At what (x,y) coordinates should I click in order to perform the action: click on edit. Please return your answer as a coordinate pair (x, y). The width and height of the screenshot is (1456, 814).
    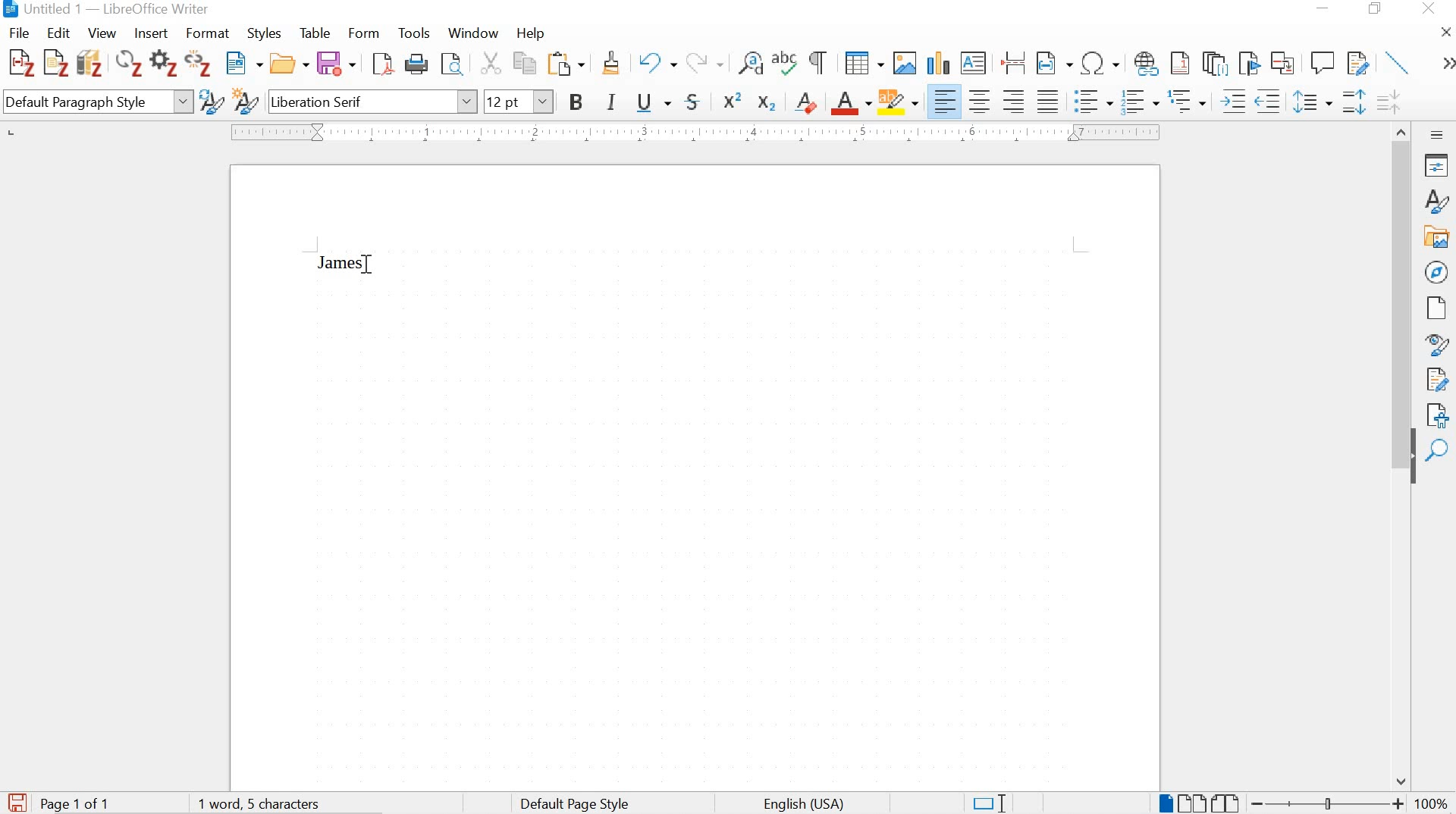
    Looking at the image, I should click on (59, 32).